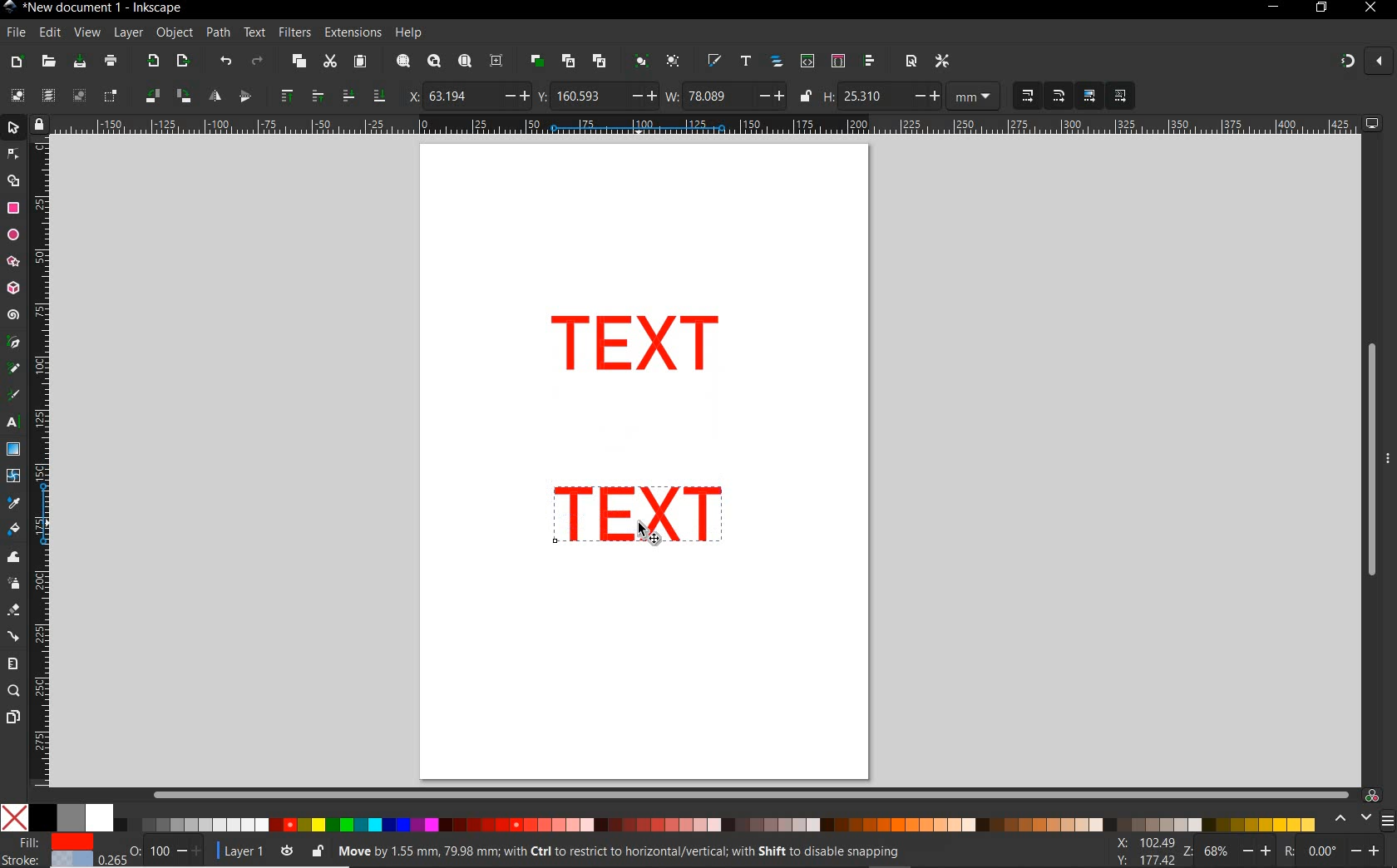 This screenshot has width=1397, height=868. Describe the element at coordinates (837, 62) in the screenshot. I see `open selectors` at that location.